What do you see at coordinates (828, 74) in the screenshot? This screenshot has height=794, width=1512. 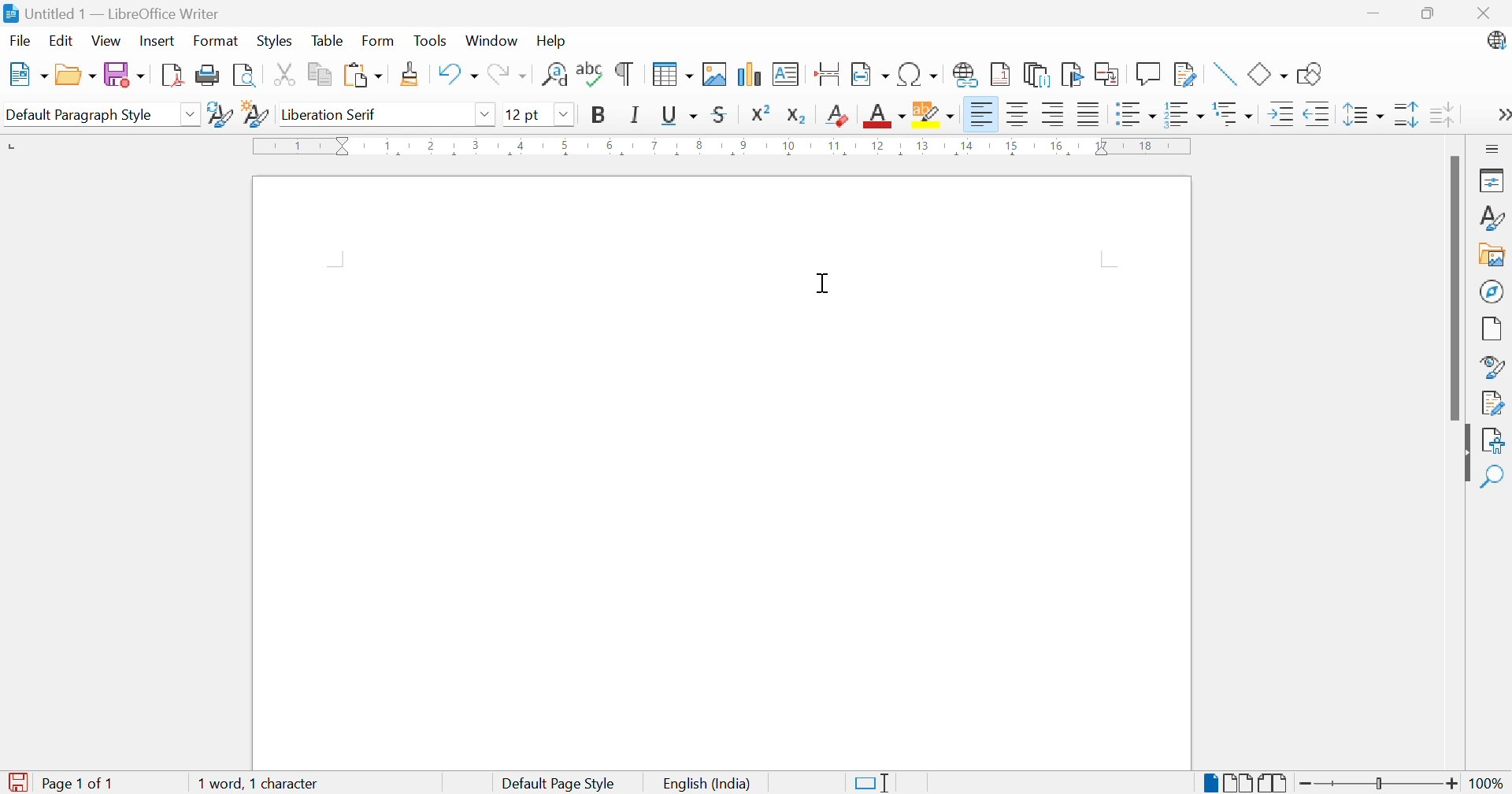 I see `Insert Page Break` at bounding box center [828, 74].